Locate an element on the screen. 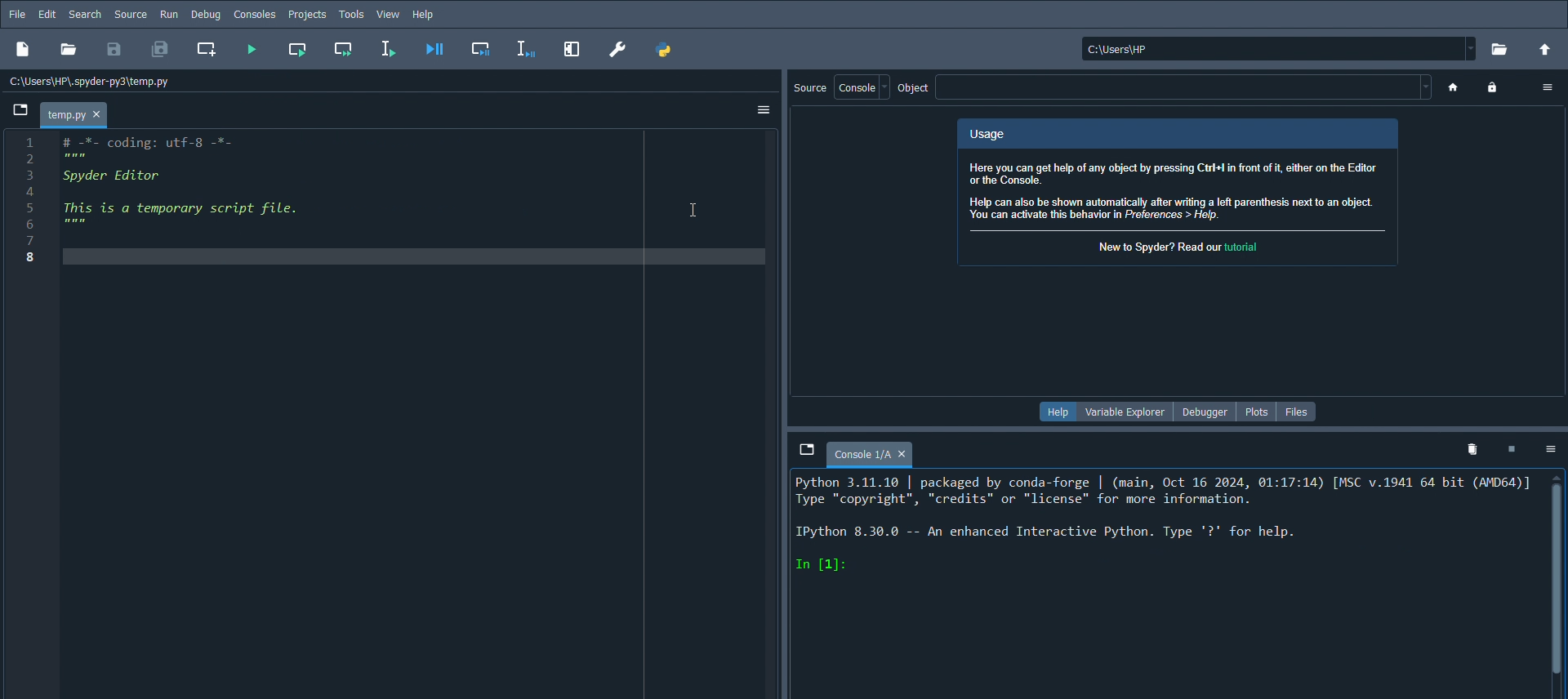 This screenshot has height=699, width=1568. Run selection or current line is located at coordinates (388, 50).